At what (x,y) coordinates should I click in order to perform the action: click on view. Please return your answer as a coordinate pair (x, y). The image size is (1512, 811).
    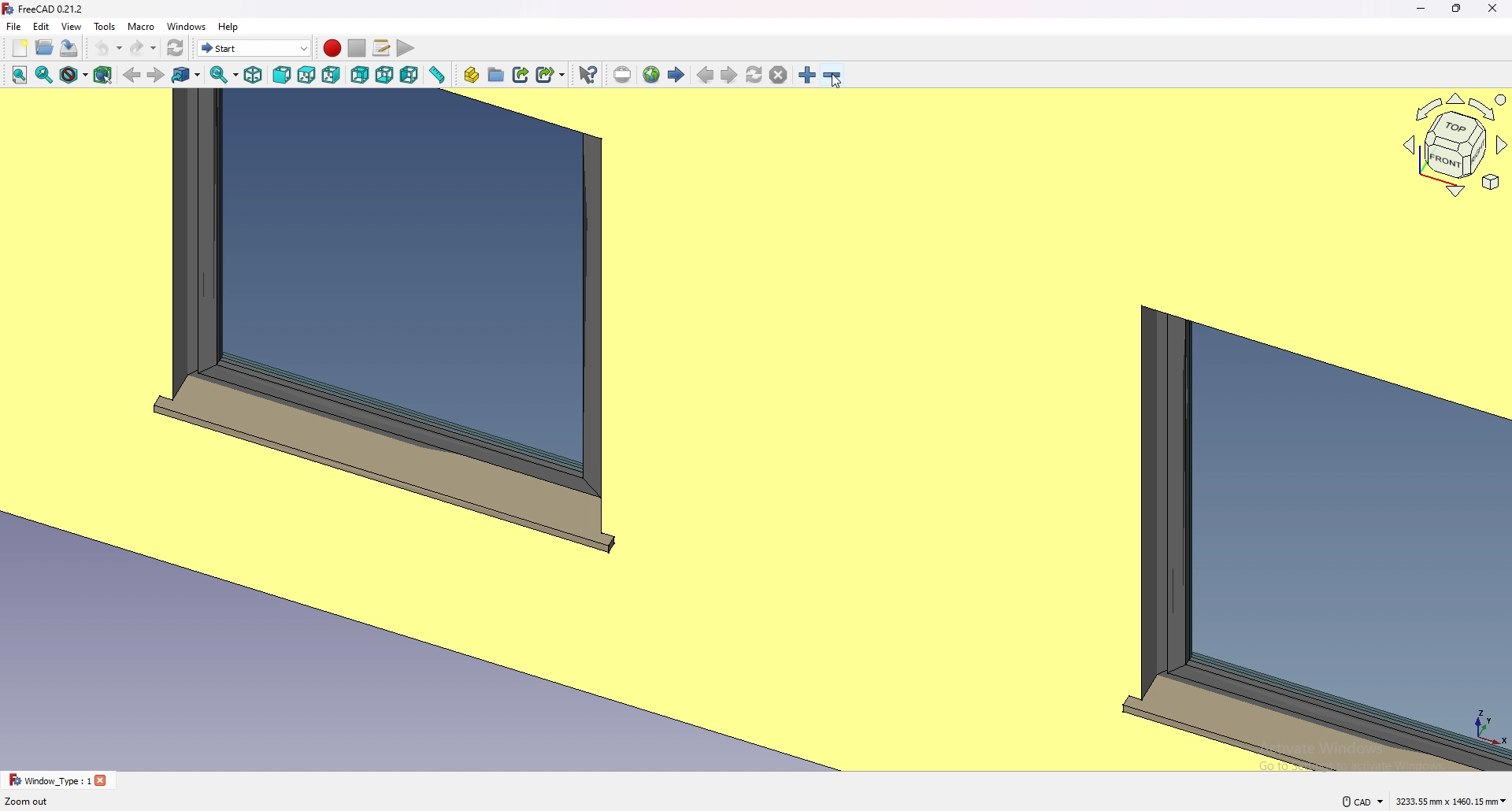
    Looking at the image, I should click on (71, 27).